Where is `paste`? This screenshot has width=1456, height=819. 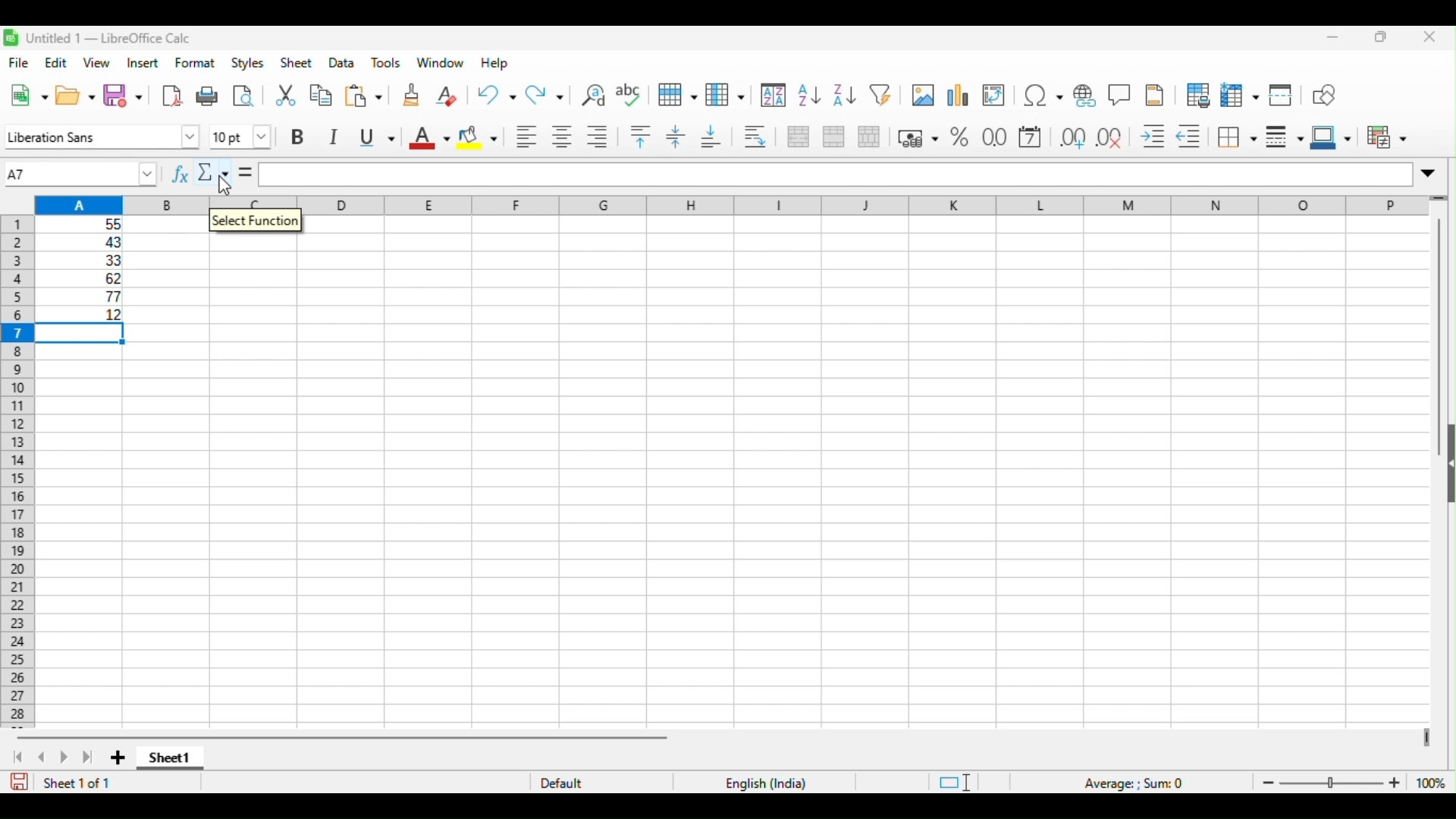
paste is located at coordinates (362, 96).